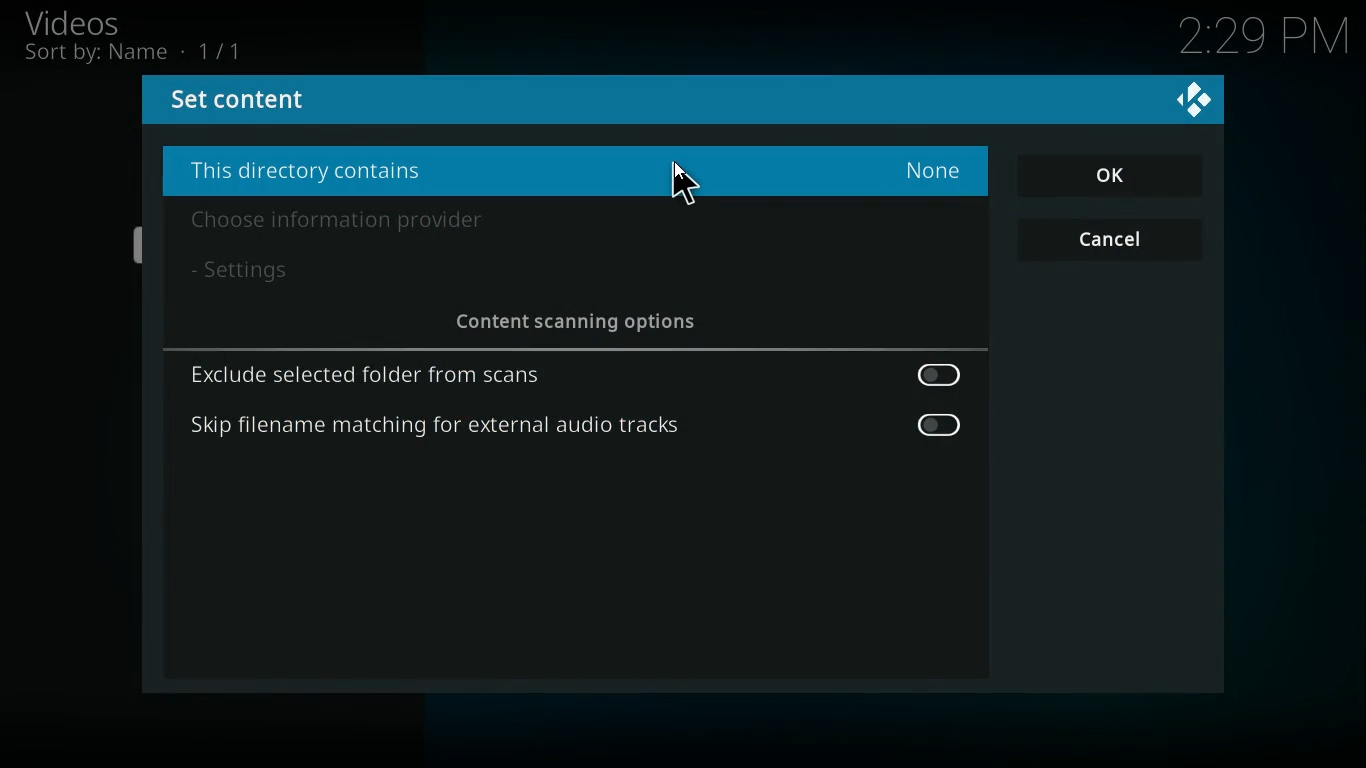 This screenshot has width=1366, height=768. I want to click on off, so click(939, 374).